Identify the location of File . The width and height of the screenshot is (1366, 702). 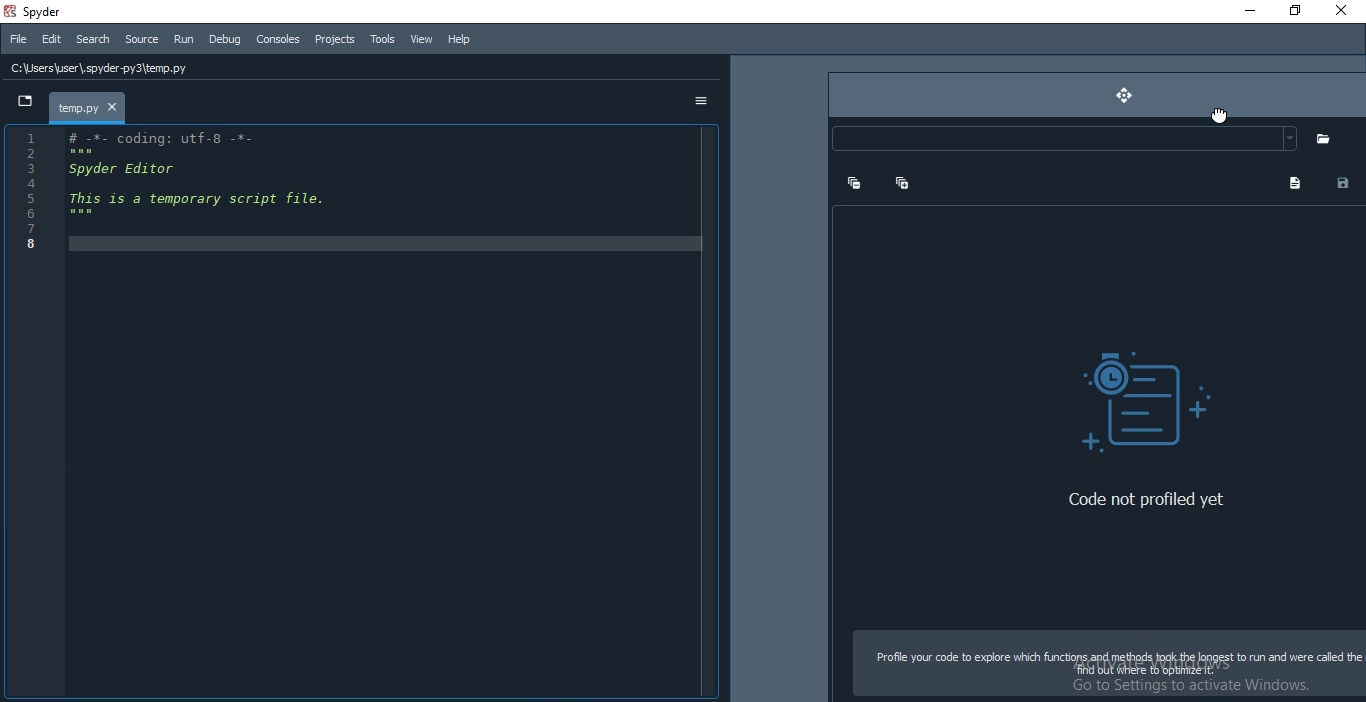
(17, 39).